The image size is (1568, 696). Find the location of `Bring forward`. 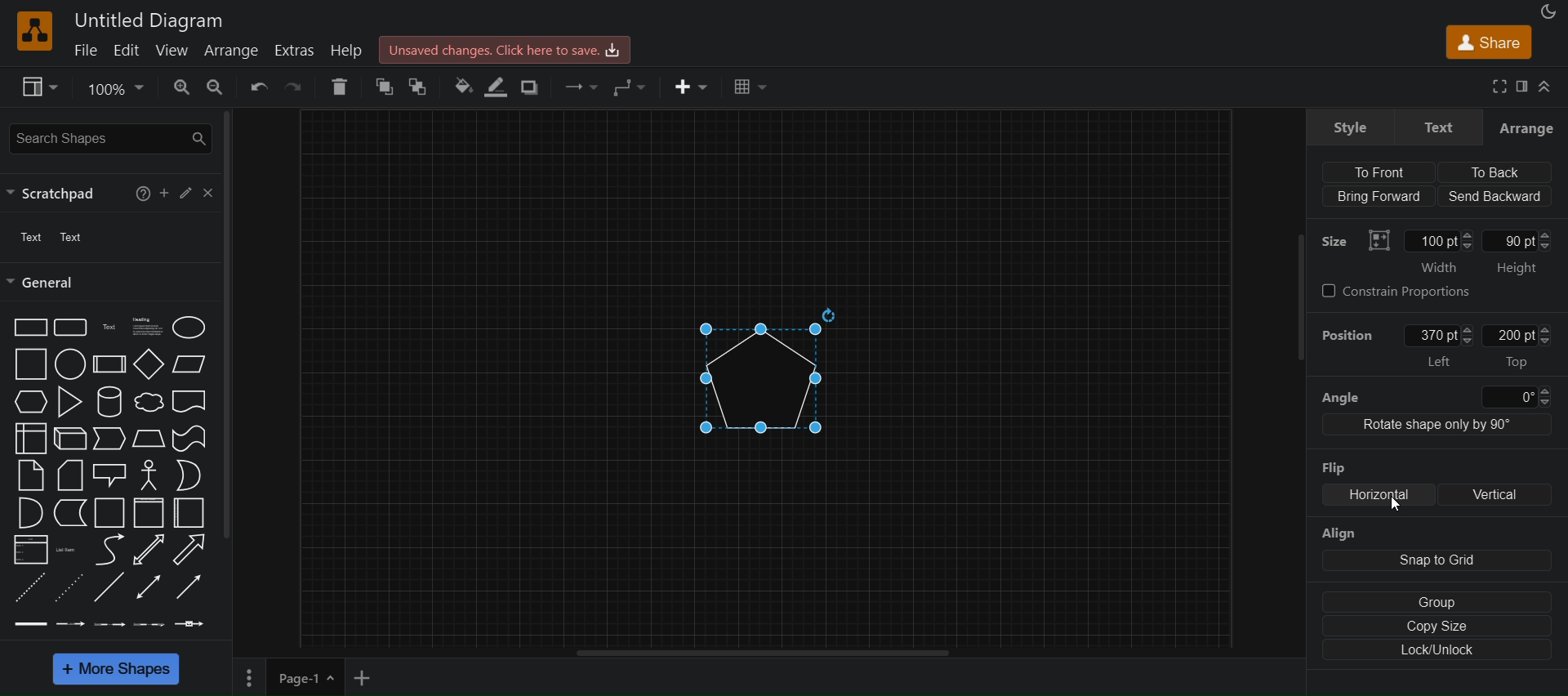

Bring forward is located at coordinates (1379, 196).